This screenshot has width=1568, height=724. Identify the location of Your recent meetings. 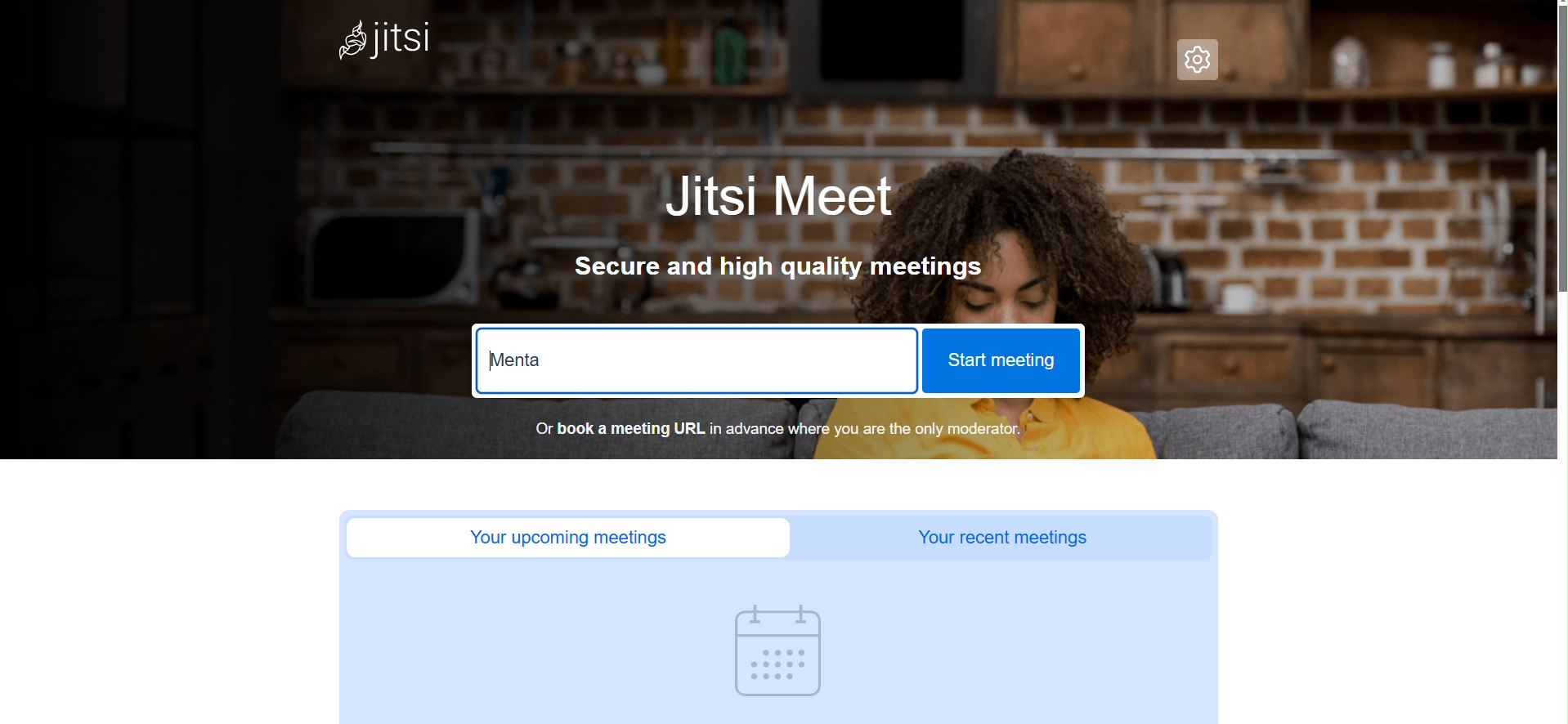
(1004, 539).